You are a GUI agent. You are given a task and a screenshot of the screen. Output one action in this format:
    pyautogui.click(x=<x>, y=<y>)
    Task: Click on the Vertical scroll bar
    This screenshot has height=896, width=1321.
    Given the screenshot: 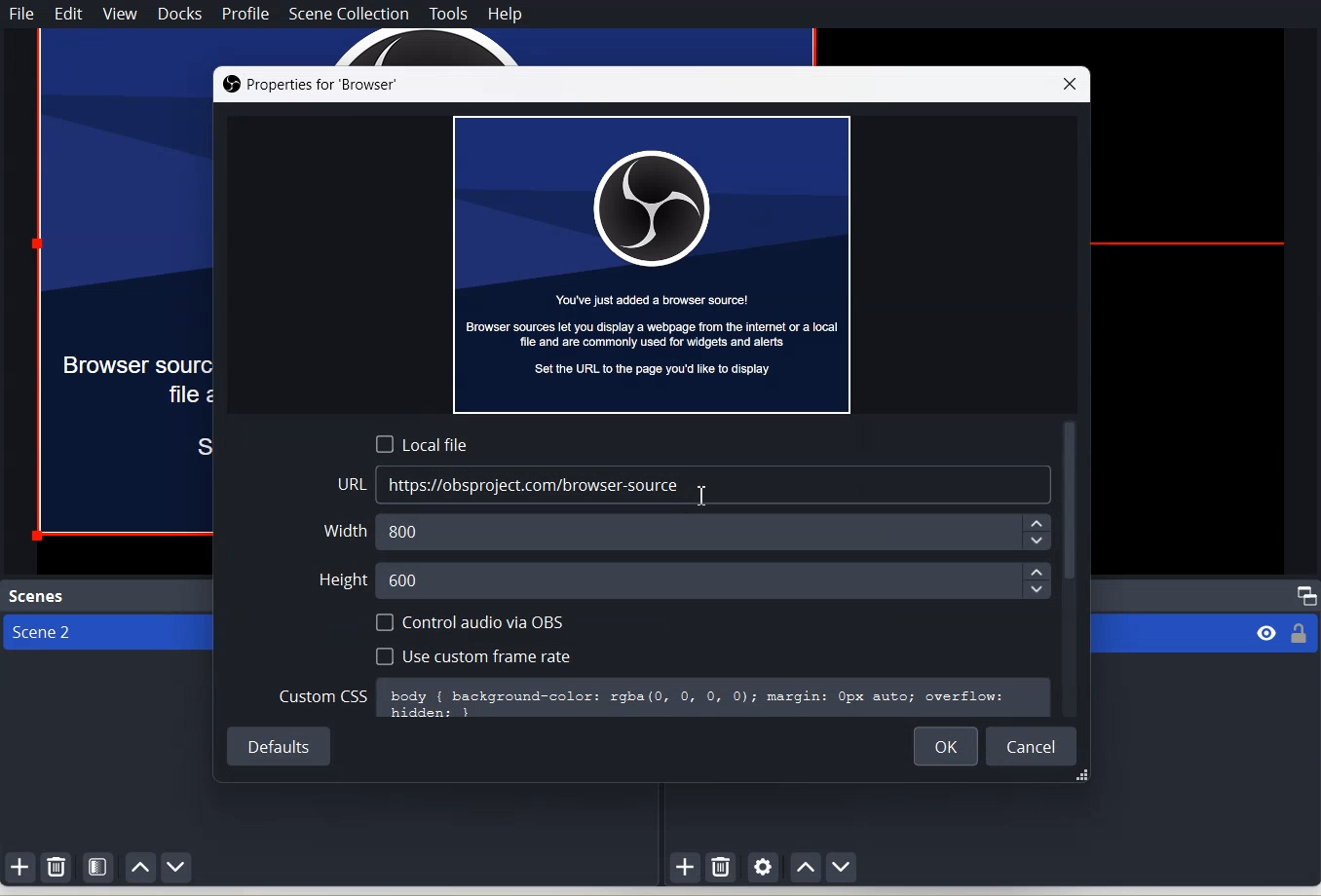 What is the action you would take?
    pyautogui.click(x=1071, y=569)
    